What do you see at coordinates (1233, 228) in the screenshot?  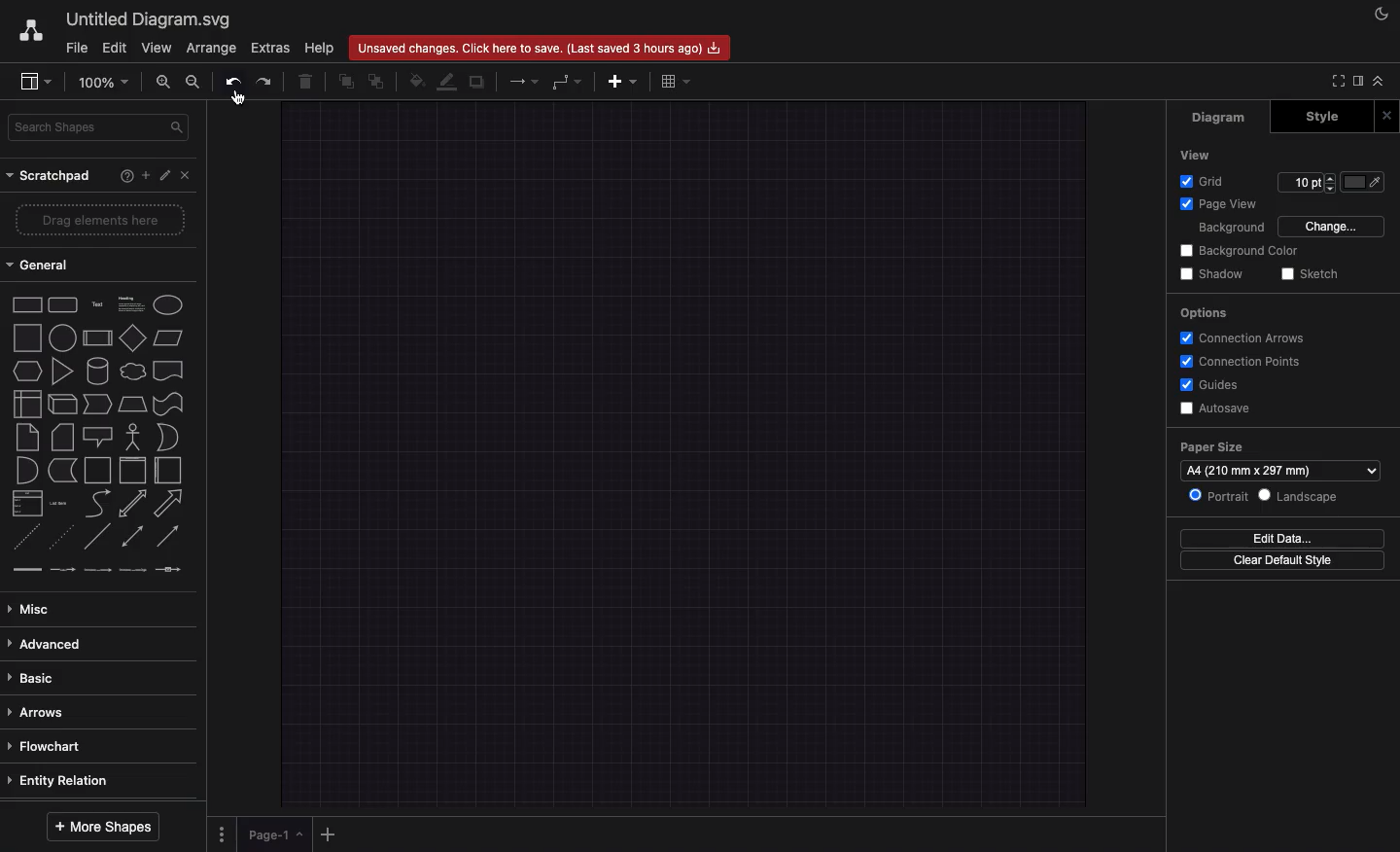 I see `Background` at bounding box center [1233, 228].